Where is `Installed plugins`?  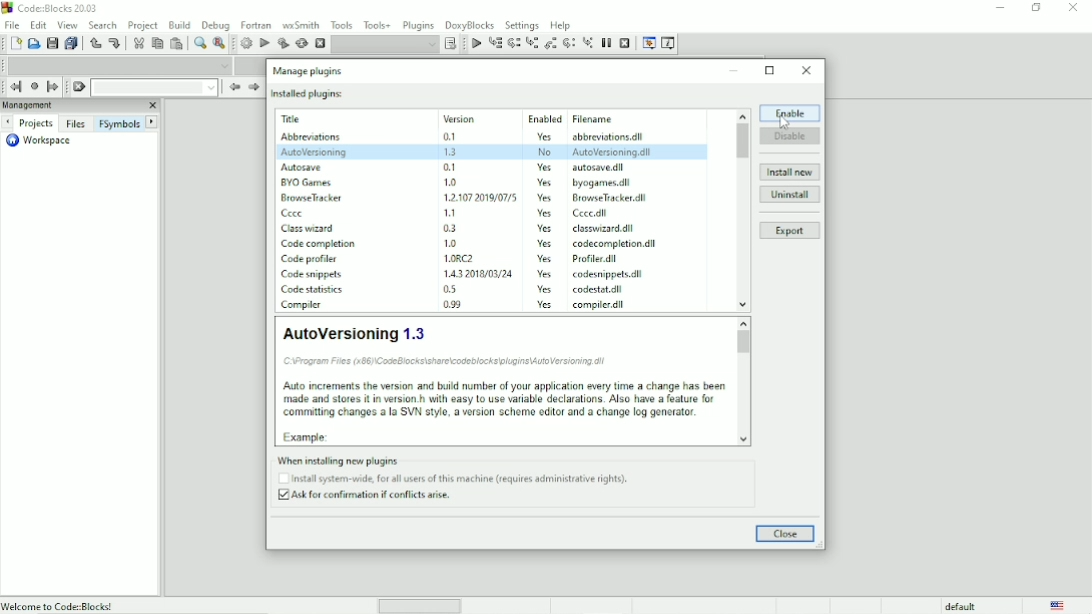 Installed plugins is located at coordinates (309, 94).